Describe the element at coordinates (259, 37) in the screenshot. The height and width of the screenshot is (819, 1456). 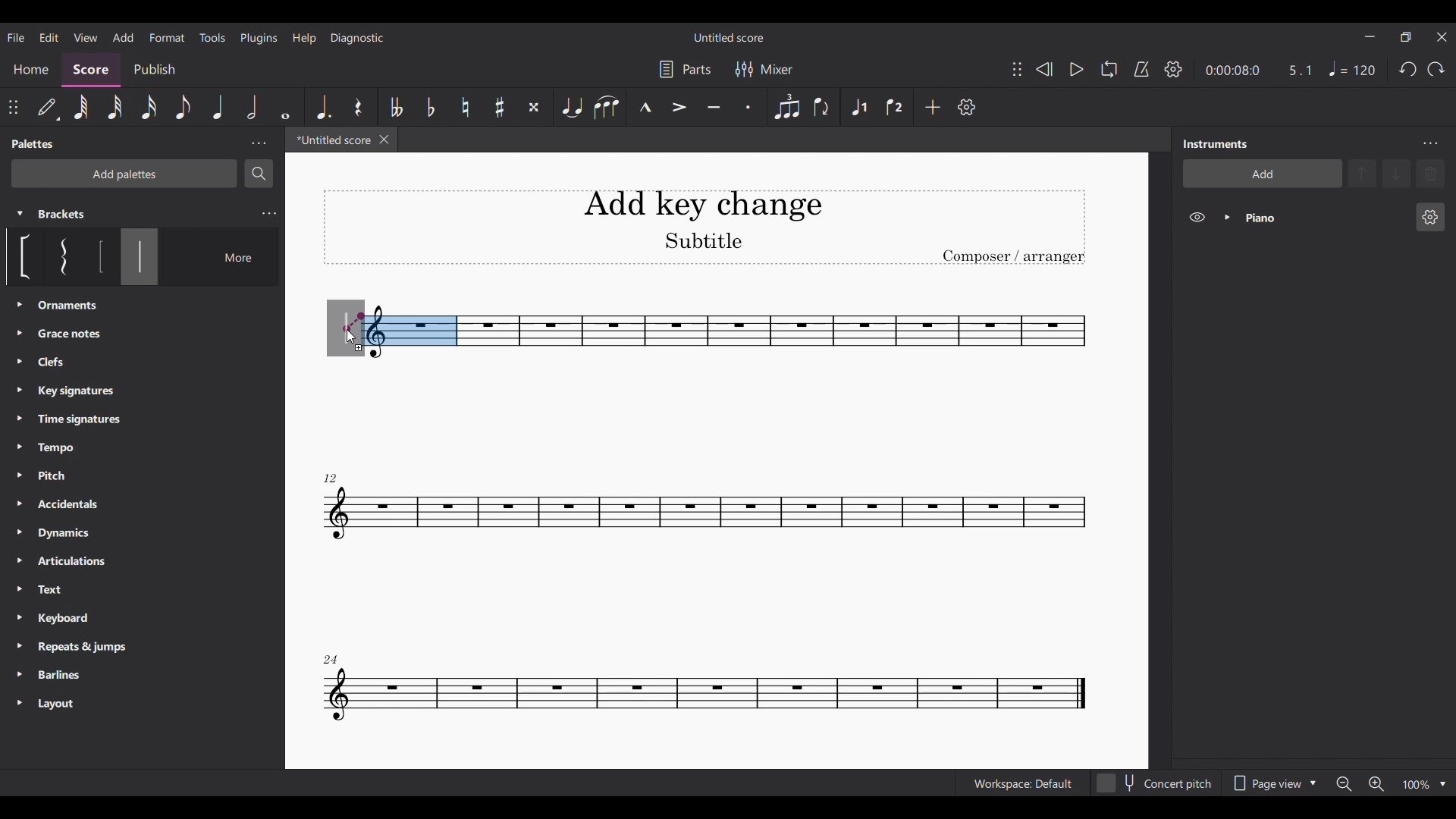
I see `Plugins menu` at that location.